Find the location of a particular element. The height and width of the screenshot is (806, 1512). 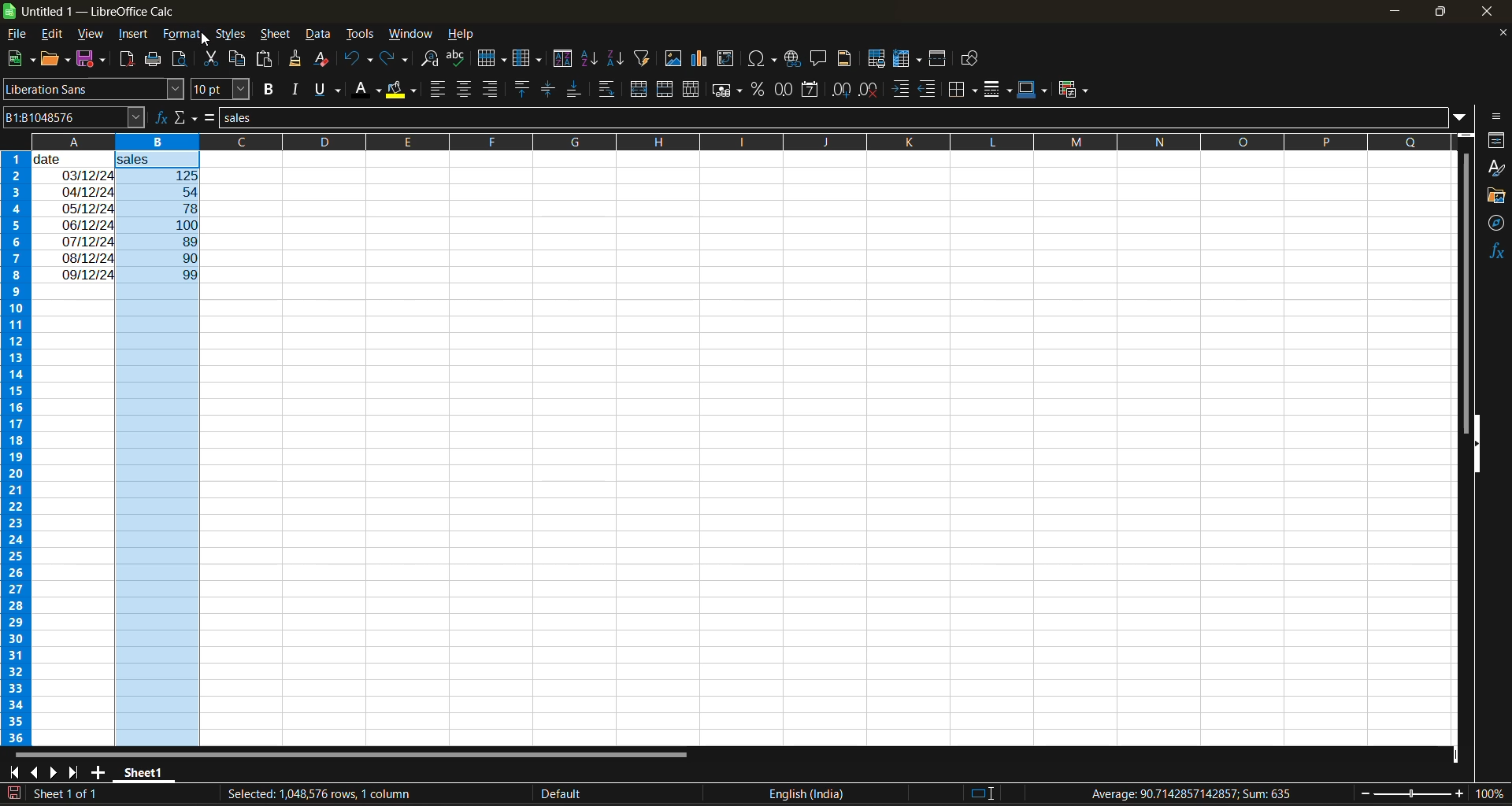

scroll to previous sheet is located at coordinates (32, 771).